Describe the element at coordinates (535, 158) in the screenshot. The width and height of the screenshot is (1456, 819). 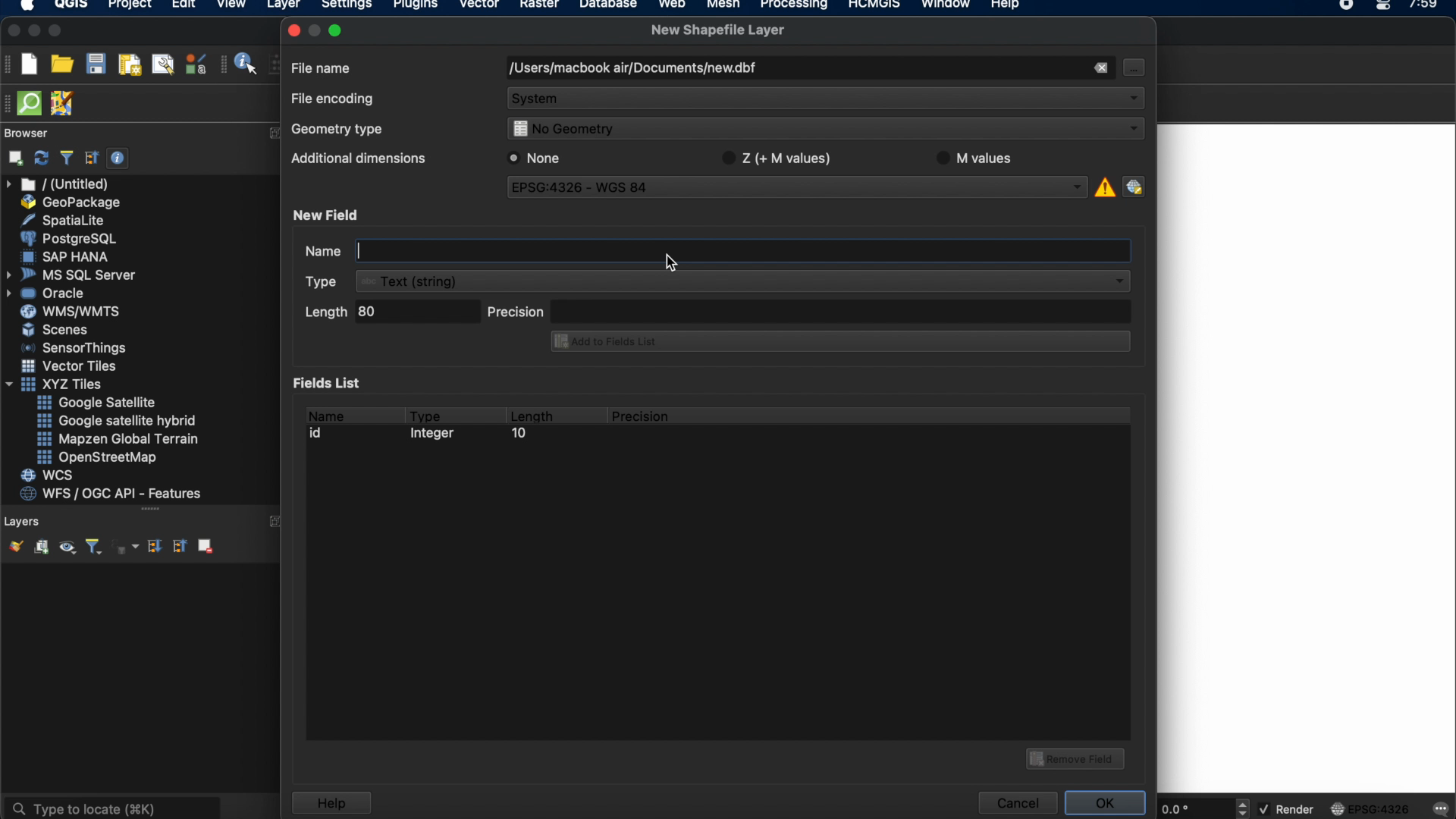
I see `© None` at that location.